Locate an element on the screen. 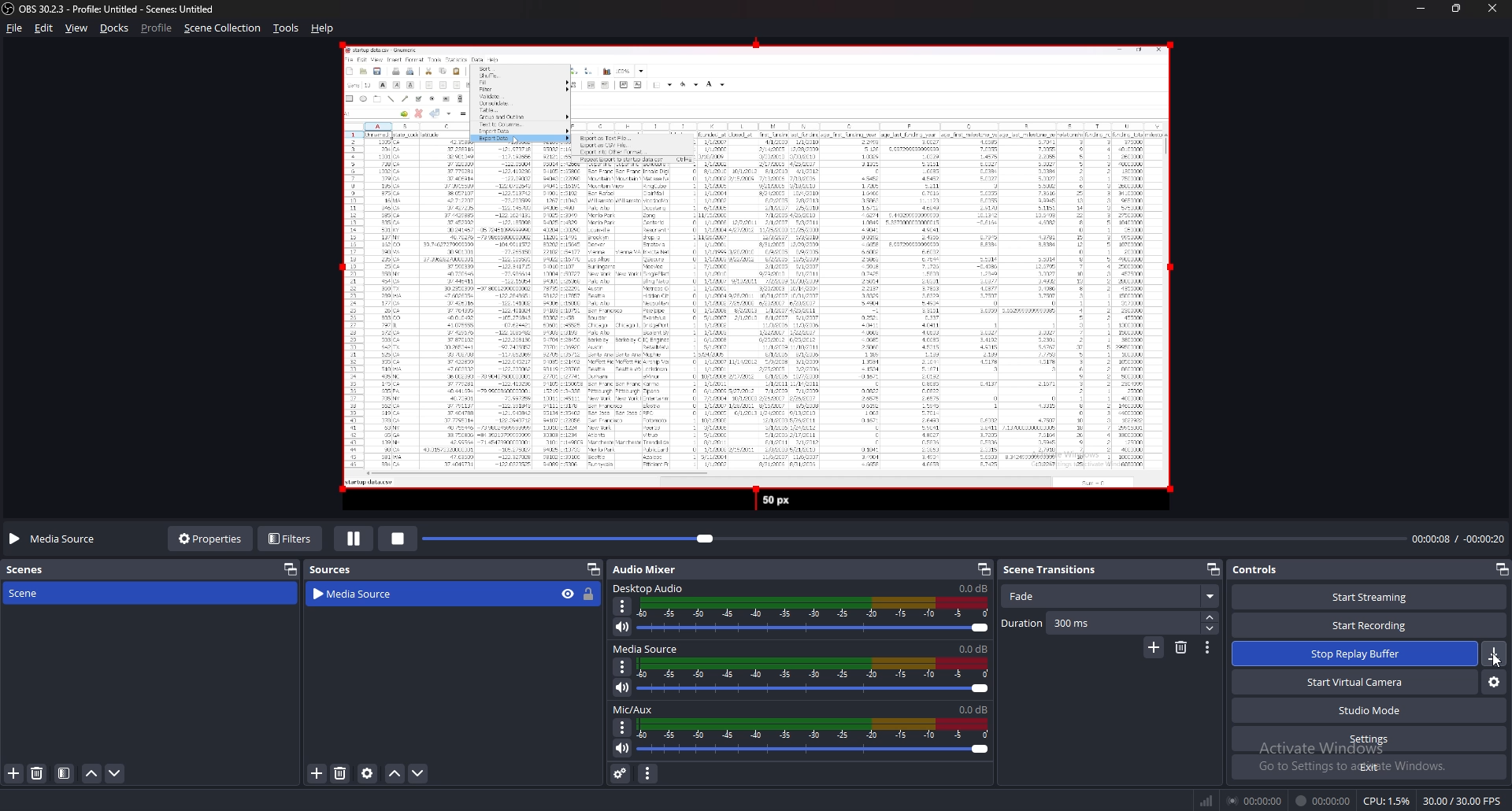  close is located at coordinates (1492, 8).